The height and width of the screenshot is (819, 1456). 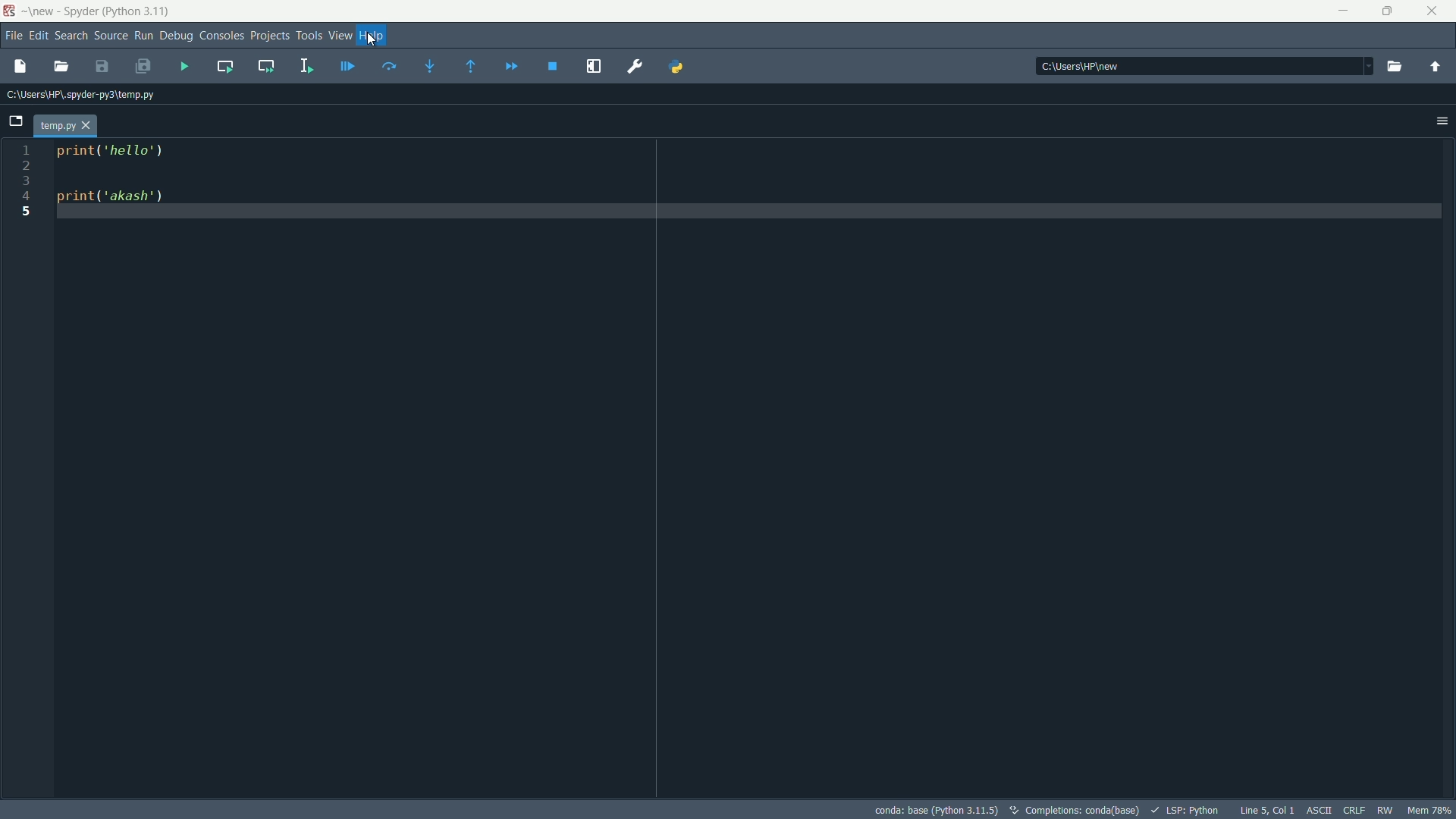 What do you see at coordinates (1265, 810) in the screenshot?
I see `cursoe position` at bounding box center [1265, 810].